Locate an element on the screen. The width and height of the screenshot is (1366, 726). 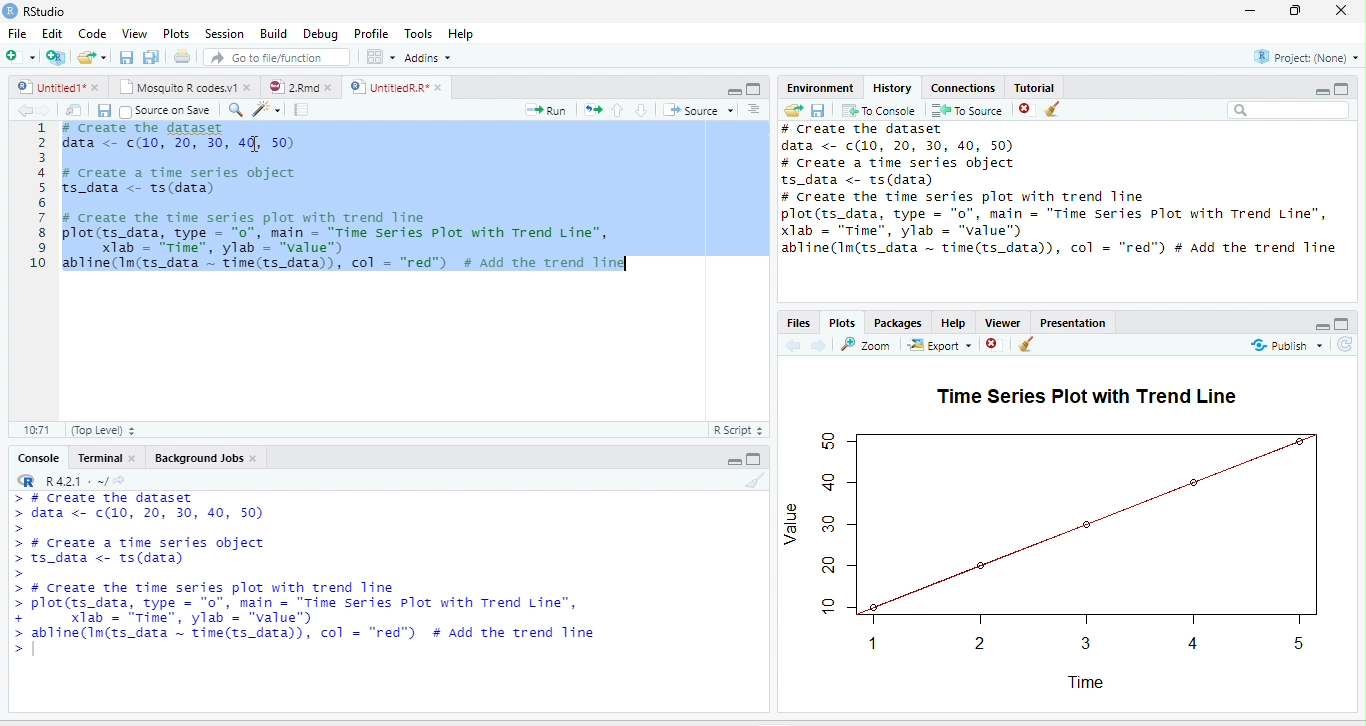
Environment is located at coordinates (822, 87).